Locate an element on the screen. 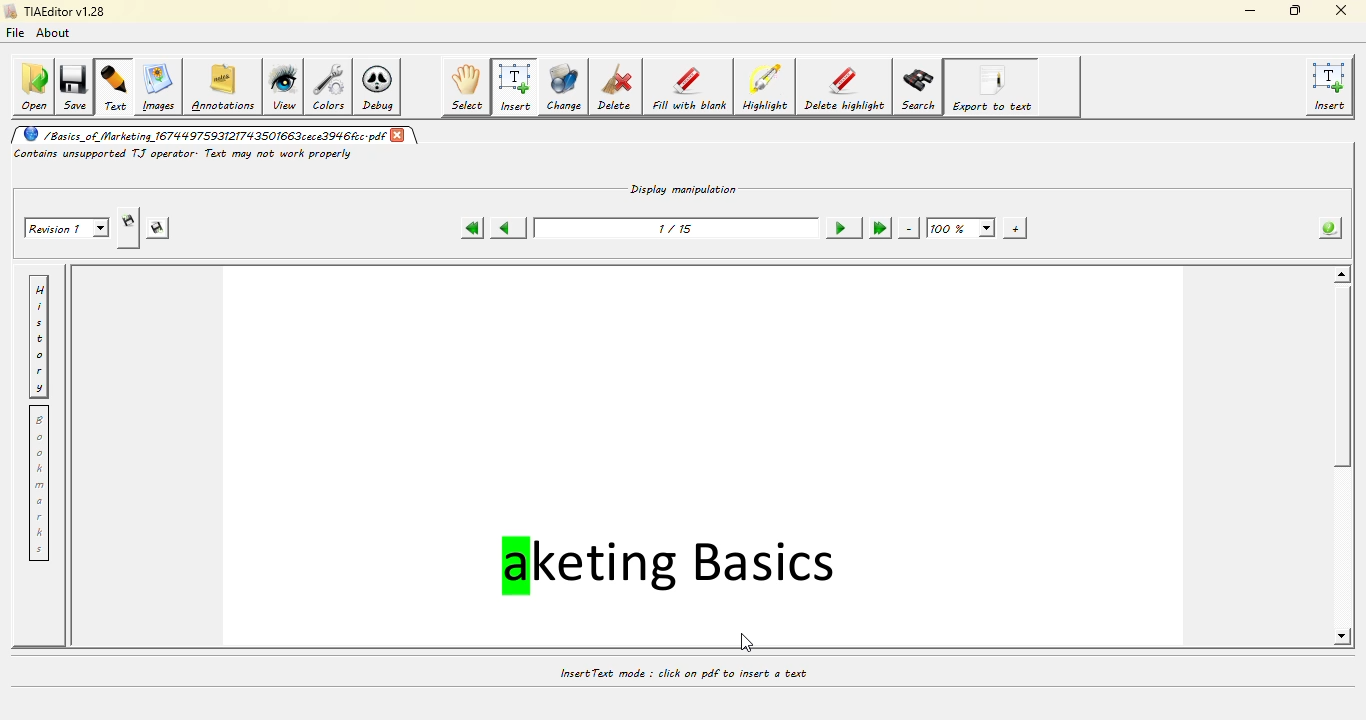 The height and width of the screenshot is (720, 1366). cursor is located at coordinates (748, 641).